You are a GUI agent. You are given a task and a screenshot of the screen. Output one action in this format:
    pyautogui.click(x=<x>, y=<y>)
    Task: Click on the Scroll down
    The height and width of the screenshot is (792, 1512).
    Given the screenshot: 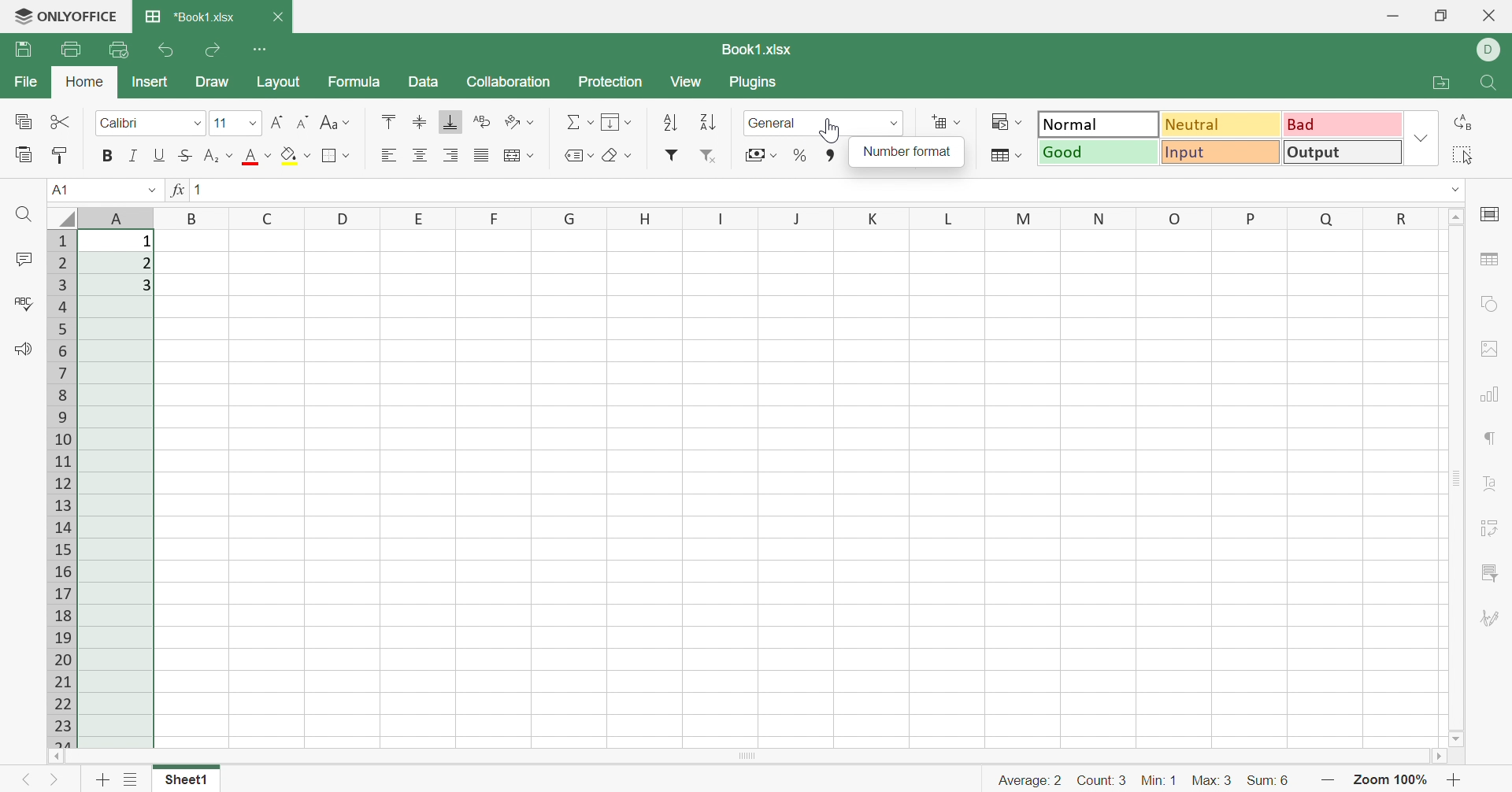 What is the action you would take?
    pyautogui.click(x=1455, y=739)
    